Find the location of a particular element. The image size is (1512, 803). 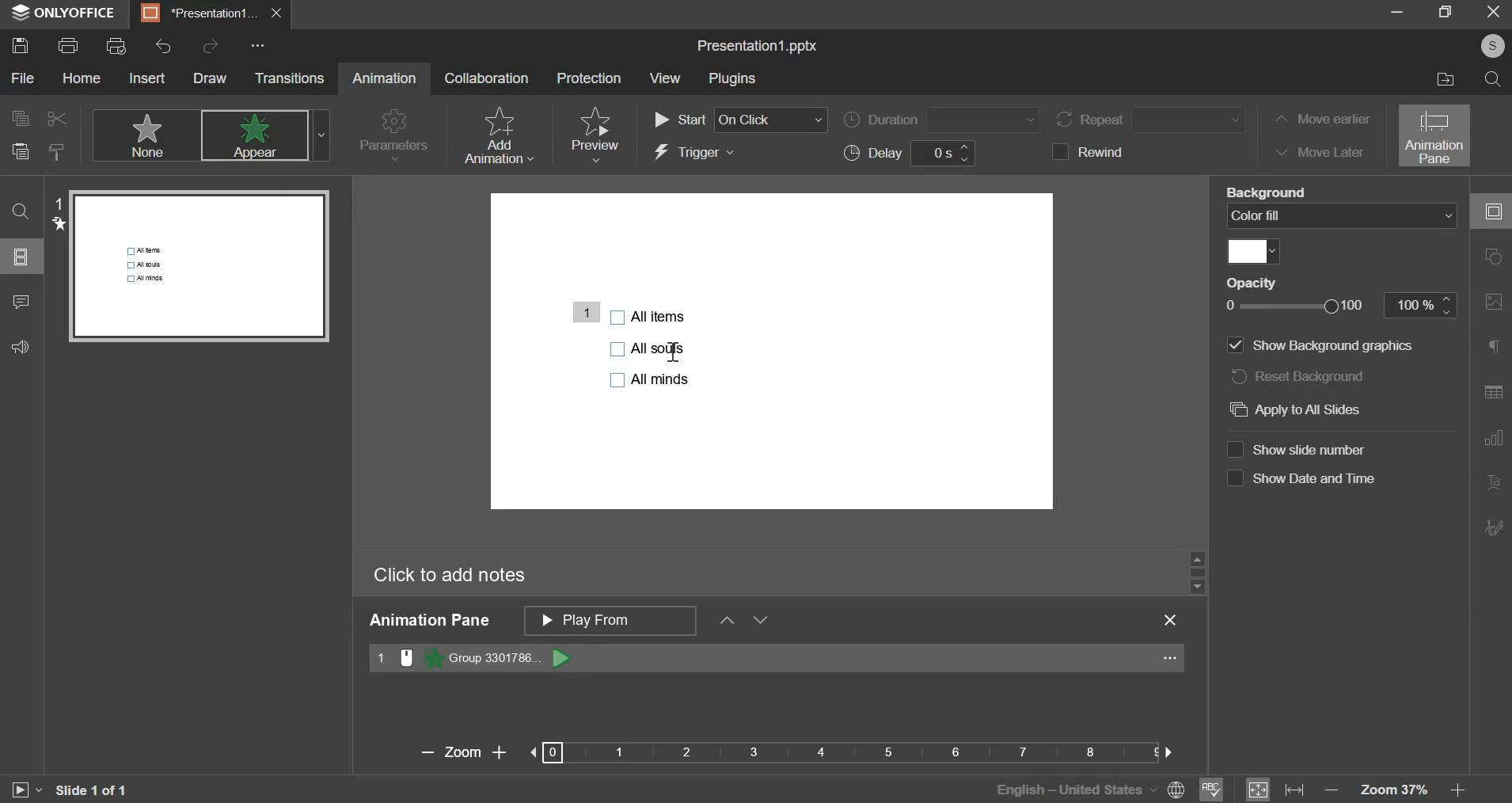

add animation is located at coordinates (497, 135).